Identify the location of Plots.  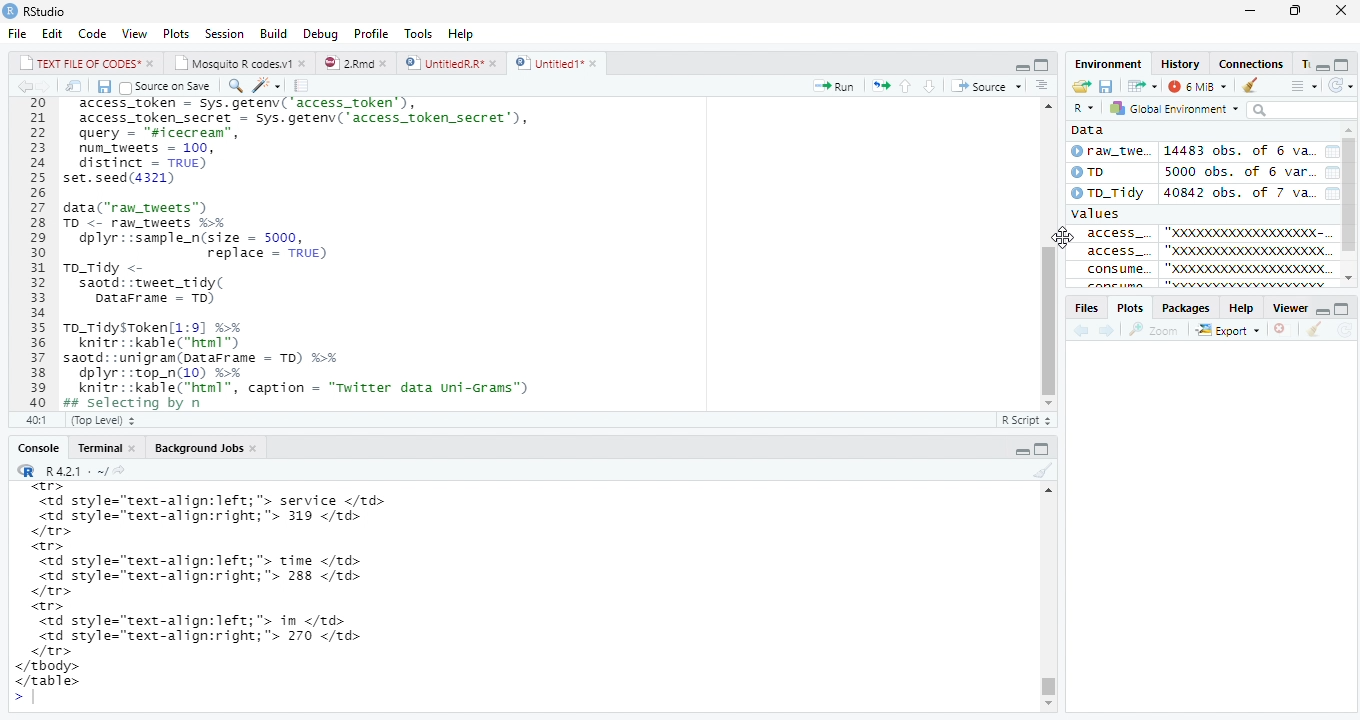
(176, 32).